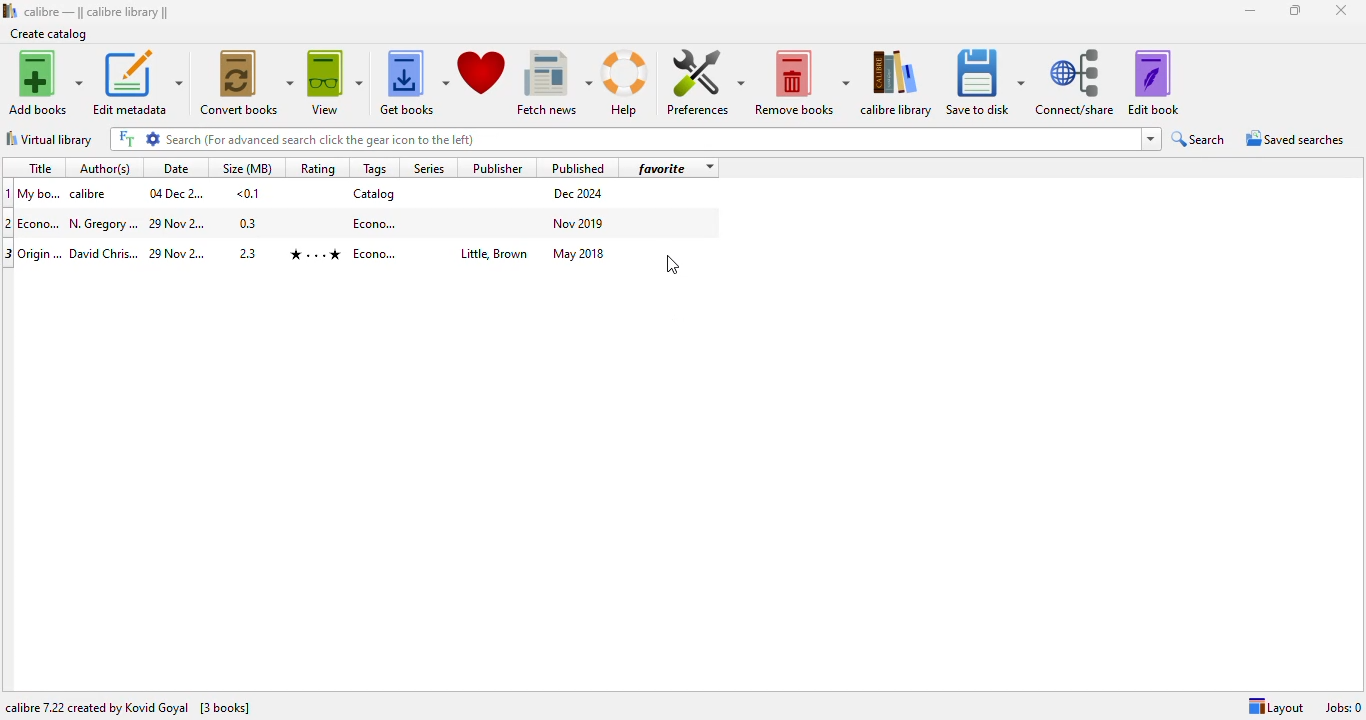 The width and height of the screenshot is (1366, 720). I want to click on tag, so click(377, 254).